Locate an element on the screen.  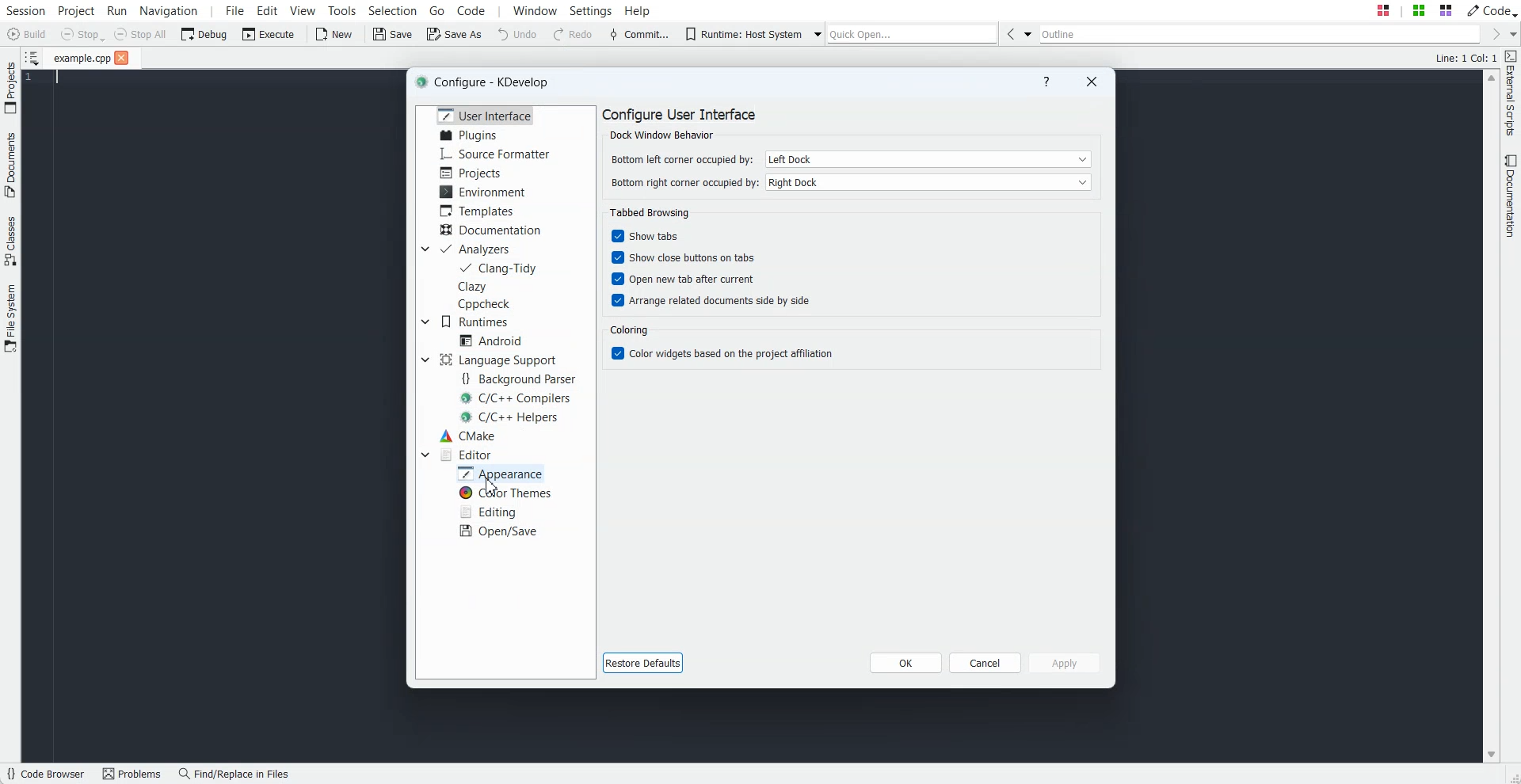
External Scripts is located at coordinates (1511, 93).